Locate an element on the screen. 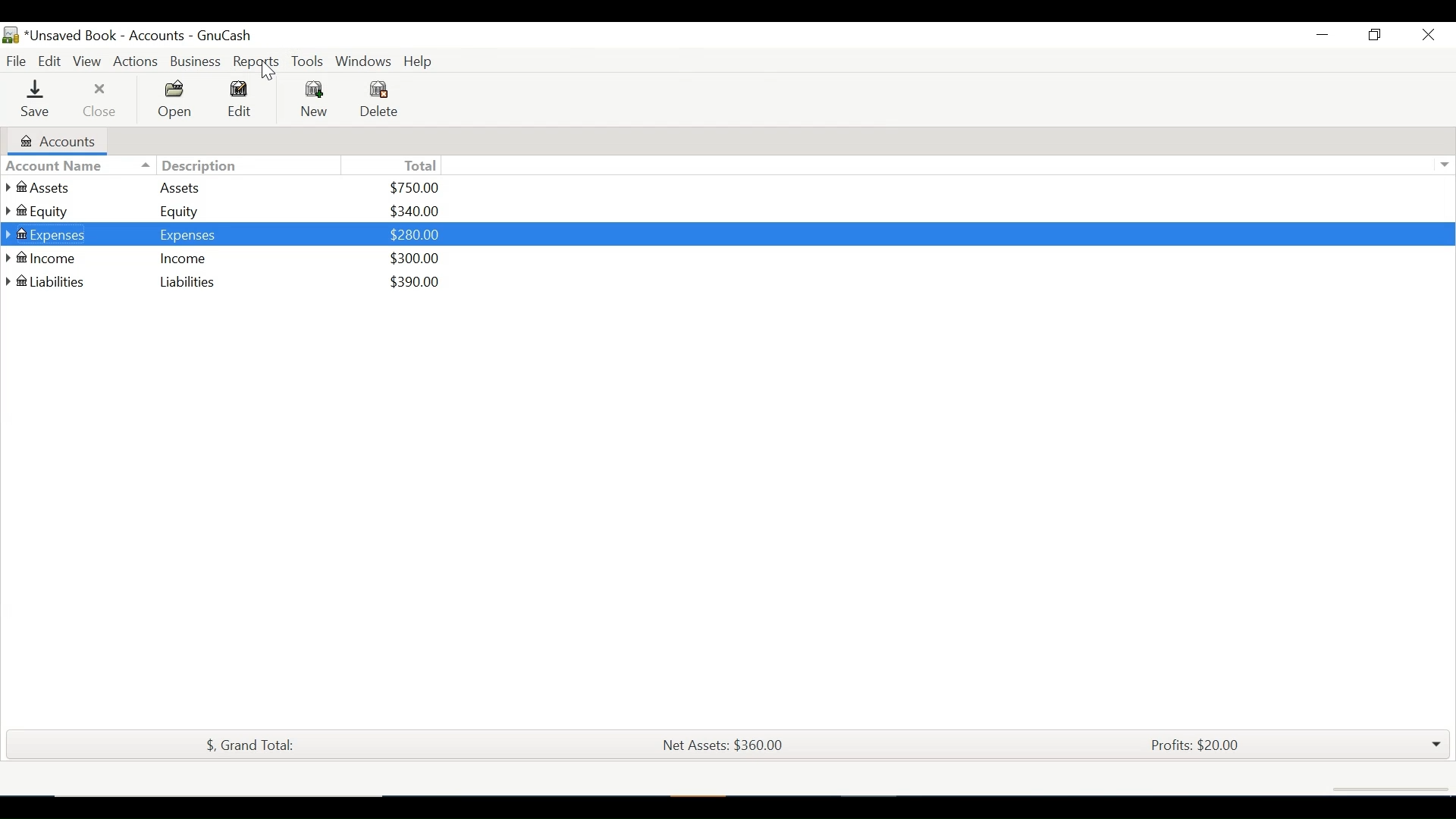 This screenshot has height=819, width=1456. New is located at coordinates (316, 99).